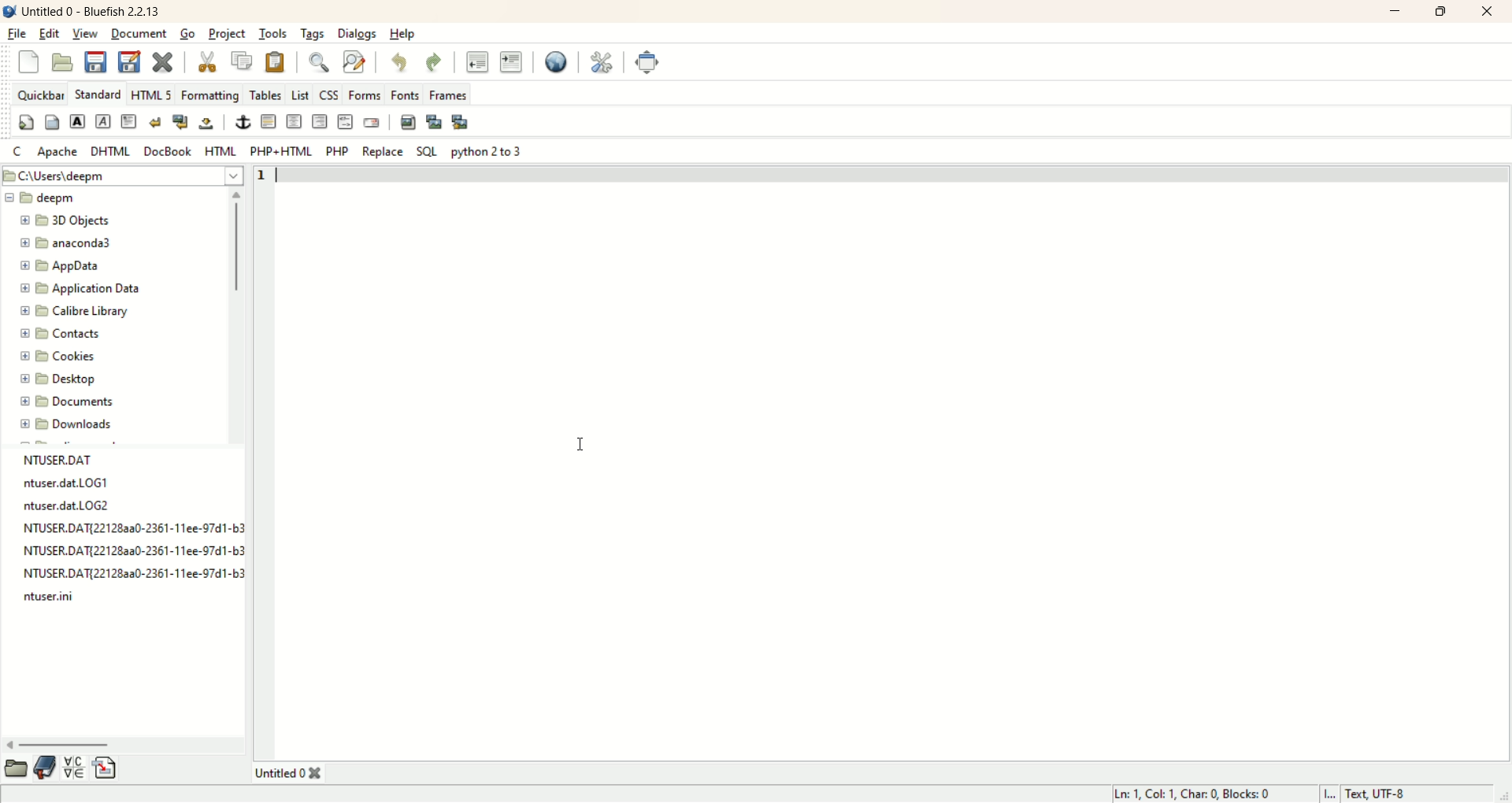  What do you see at coordinates (63, 63) in the screenshot?
I see `open file` at bounding box center [63, 63].